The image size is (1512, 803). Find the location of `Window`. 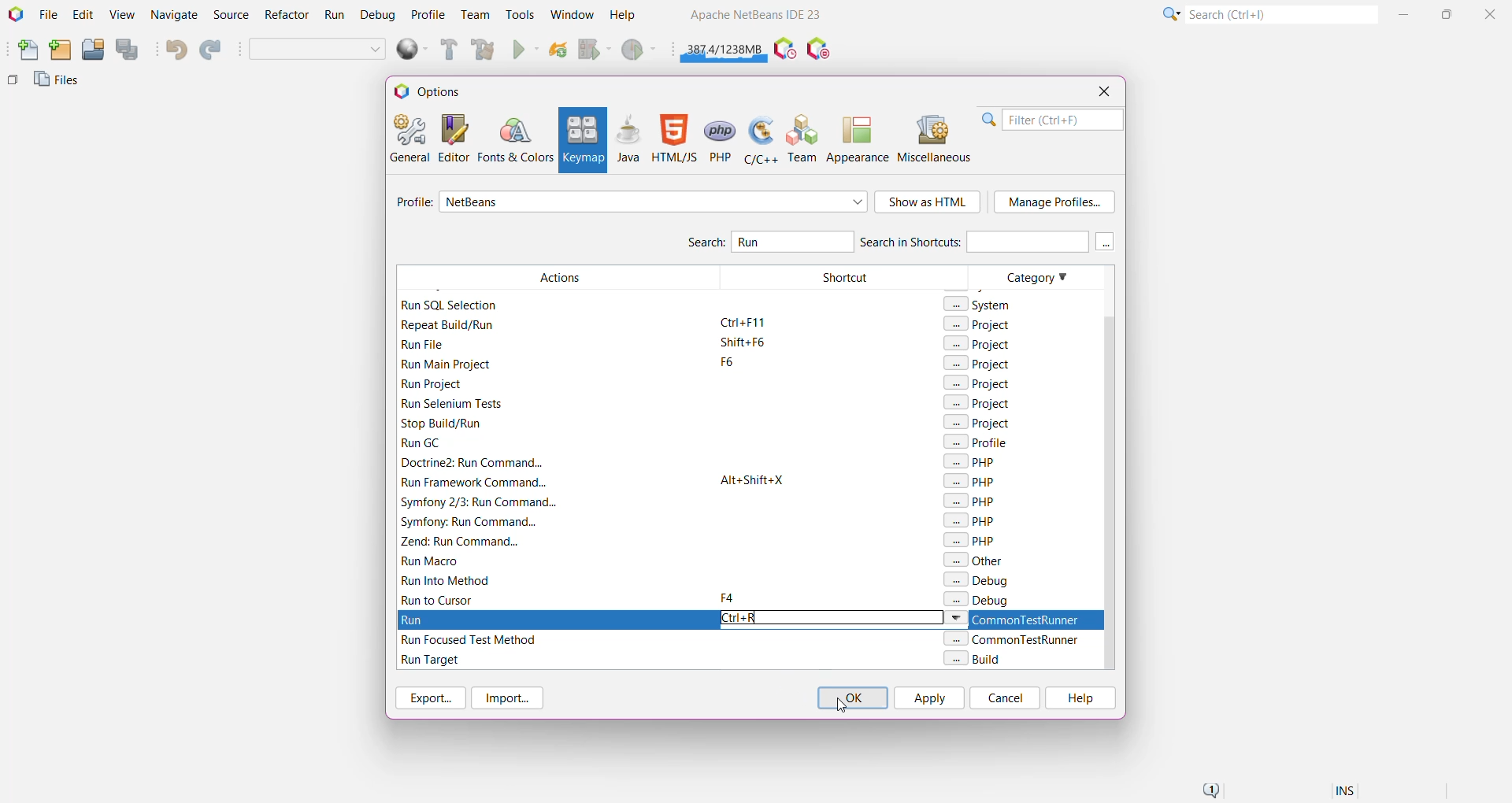

Window is located at coordinates (572, 14).